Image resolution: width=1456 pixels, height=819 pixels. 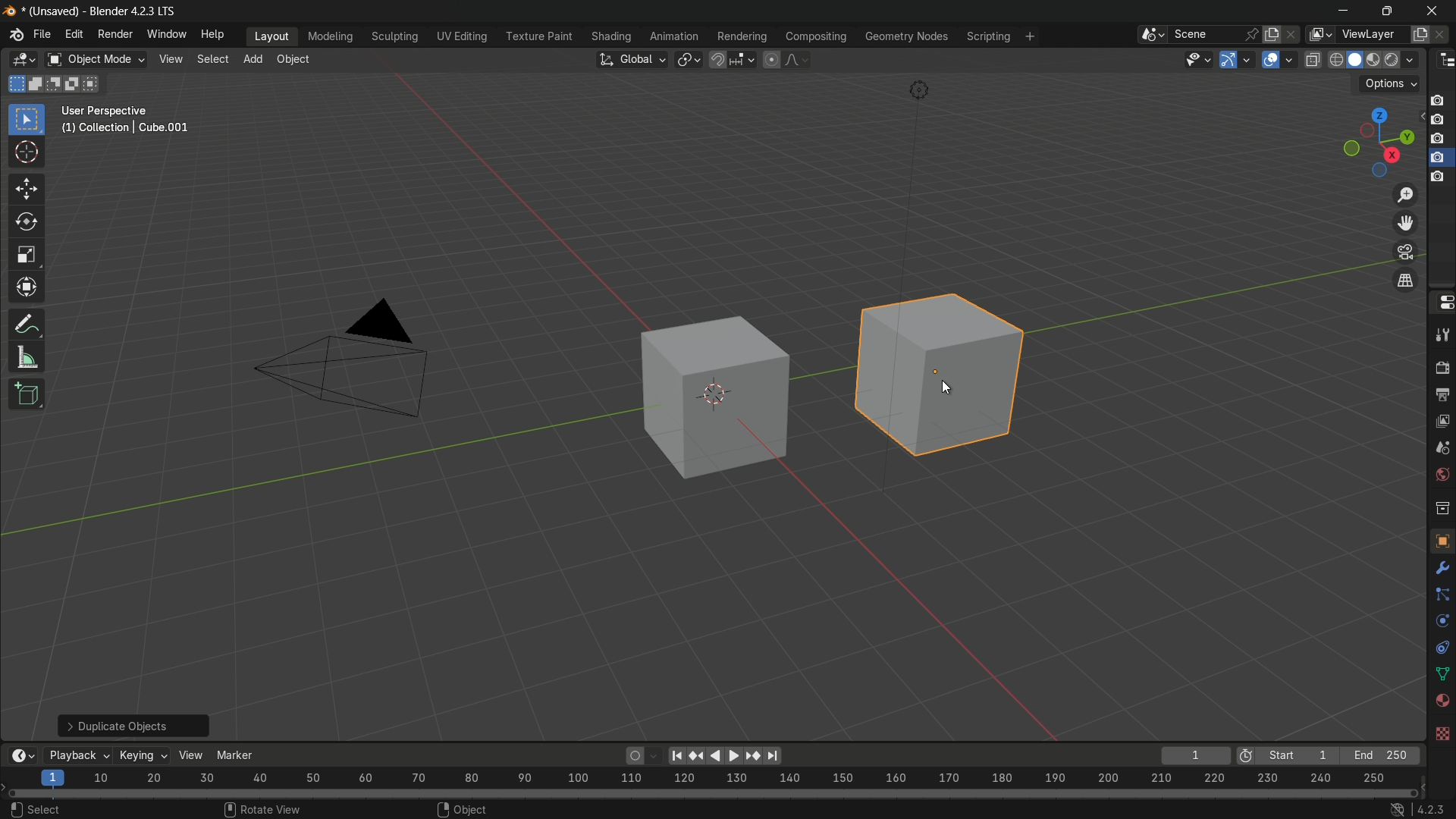 What do you see at coordinates (14, 84) in the screenshot?
I see `set new selection` at bounding box center [14, 84].